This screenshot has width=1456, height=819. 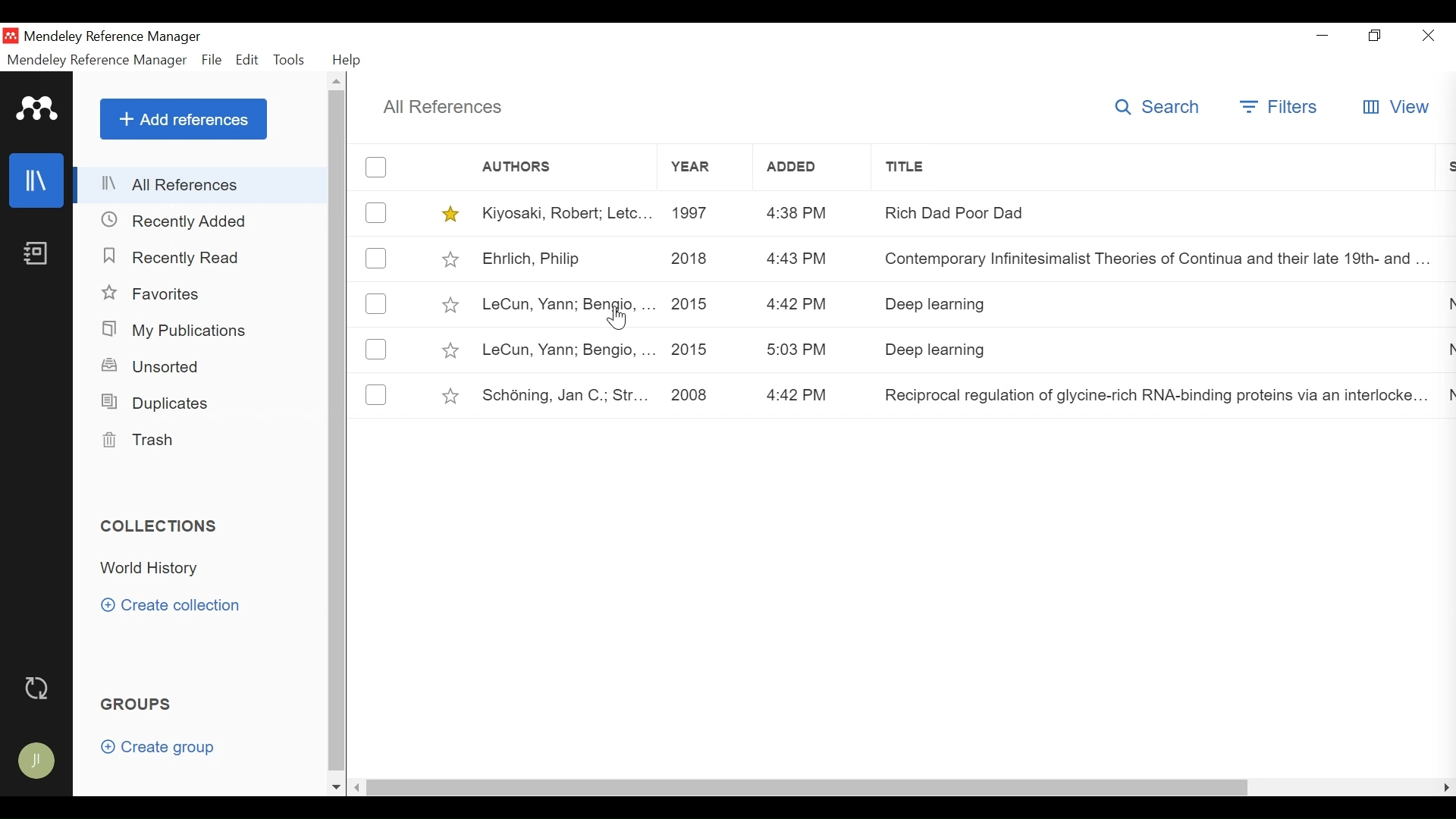 What do you see at coordinates (38, 180) in the screenshot?
I see `Library` at bounding box center [38, 180].